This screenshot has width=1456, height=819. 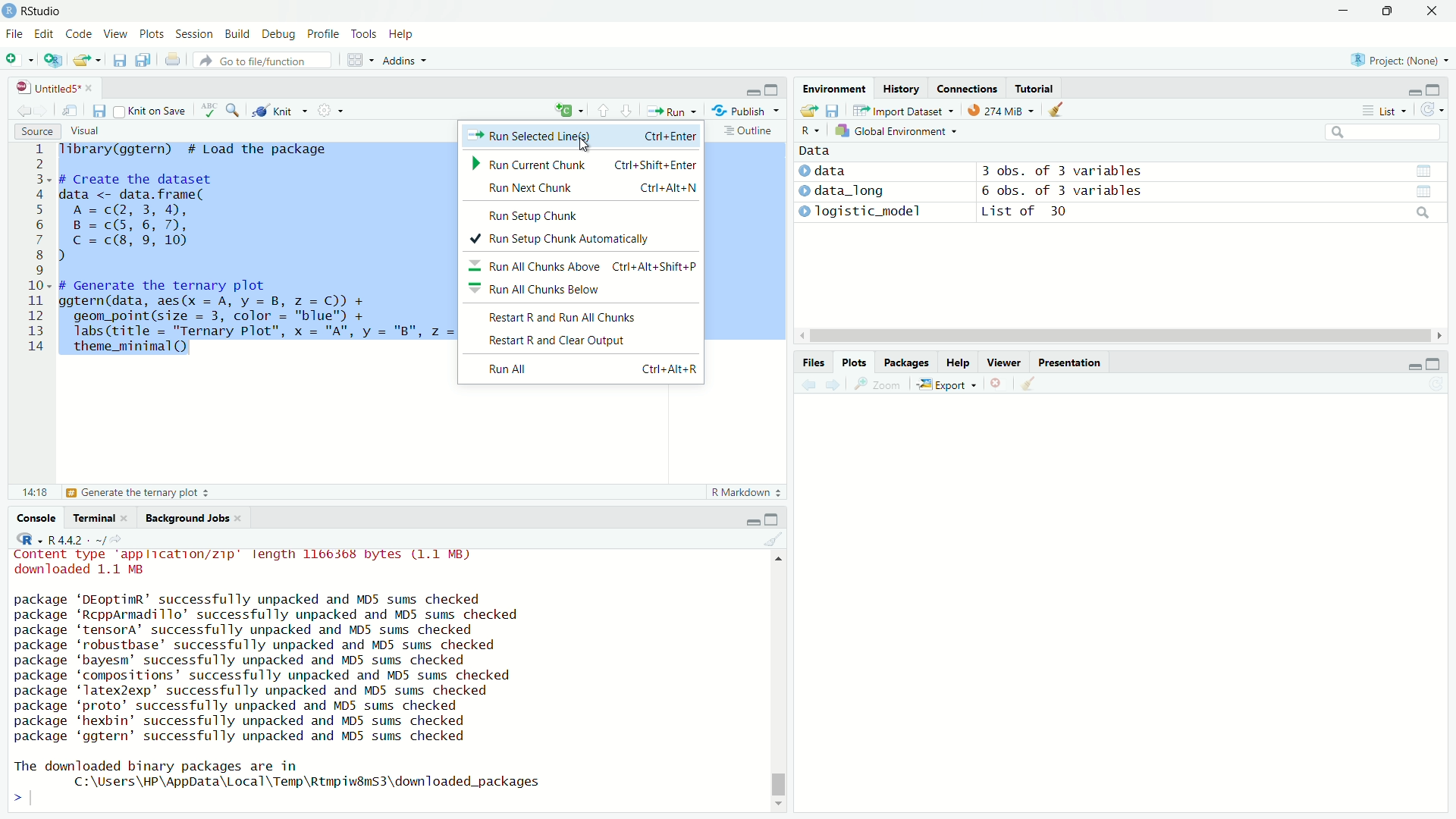 What do you see at coordinates (1072, 362) in the screenshot?
I see `Presentation` at bounding box center [1072, 362].